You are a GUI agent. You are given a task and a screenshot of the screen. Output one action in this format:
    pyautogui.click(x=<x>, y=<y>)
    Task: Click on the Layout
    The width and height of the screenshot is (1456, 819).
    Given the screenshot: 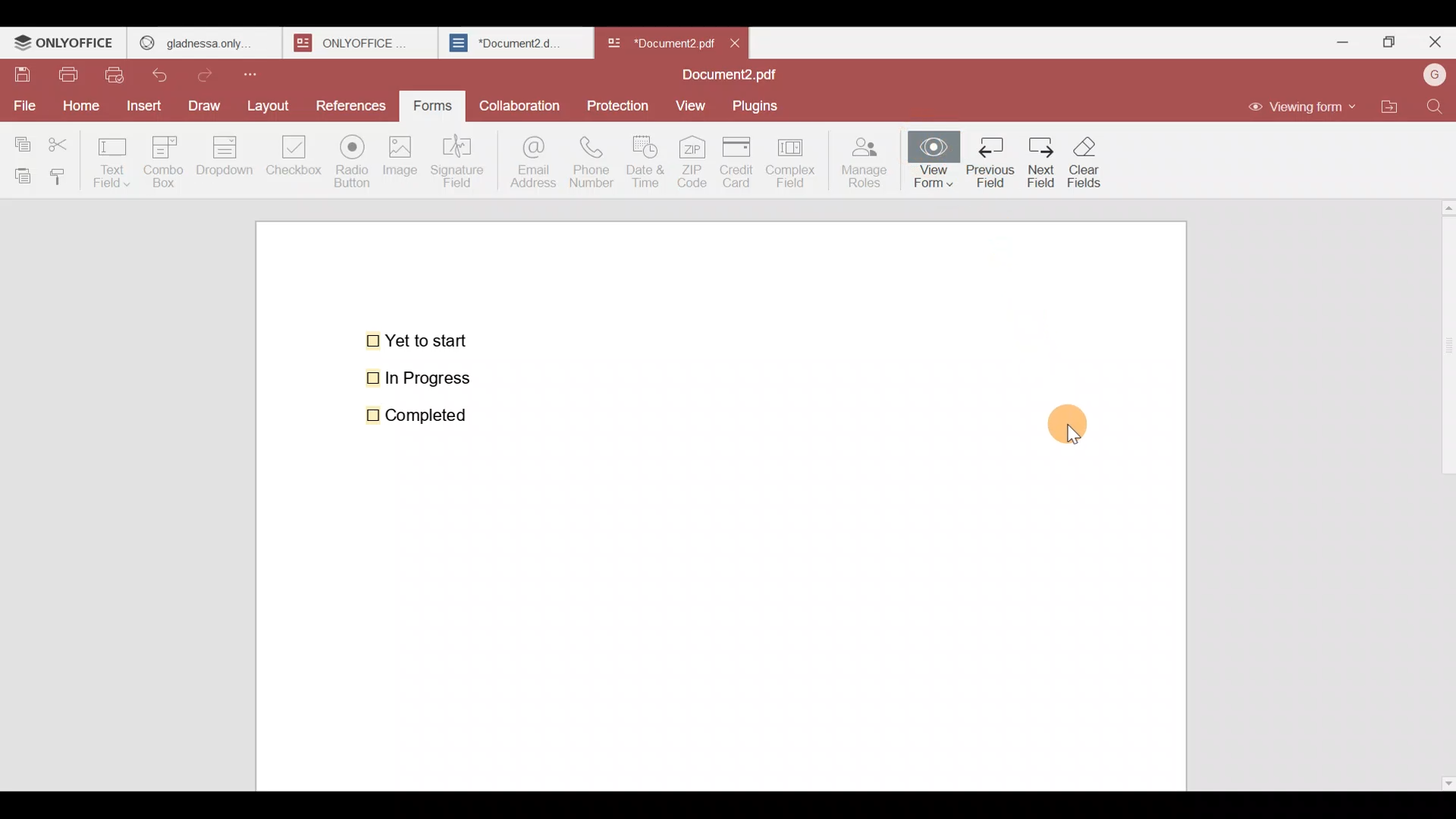 What is the action you would take?
    pyautogui.click(x=275, y=104)
    